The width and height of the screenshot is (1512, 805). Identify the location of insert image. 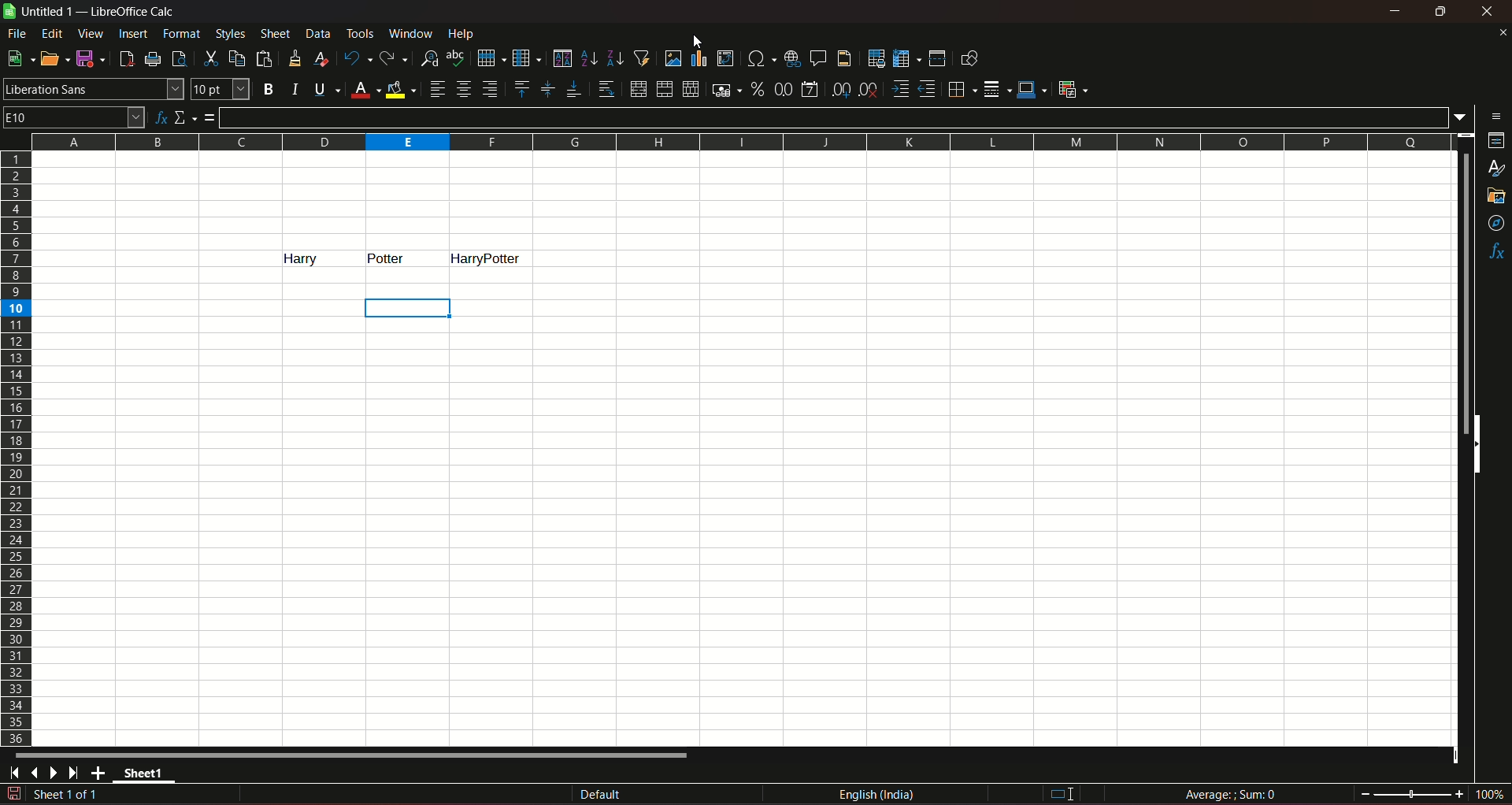
(673, 58).